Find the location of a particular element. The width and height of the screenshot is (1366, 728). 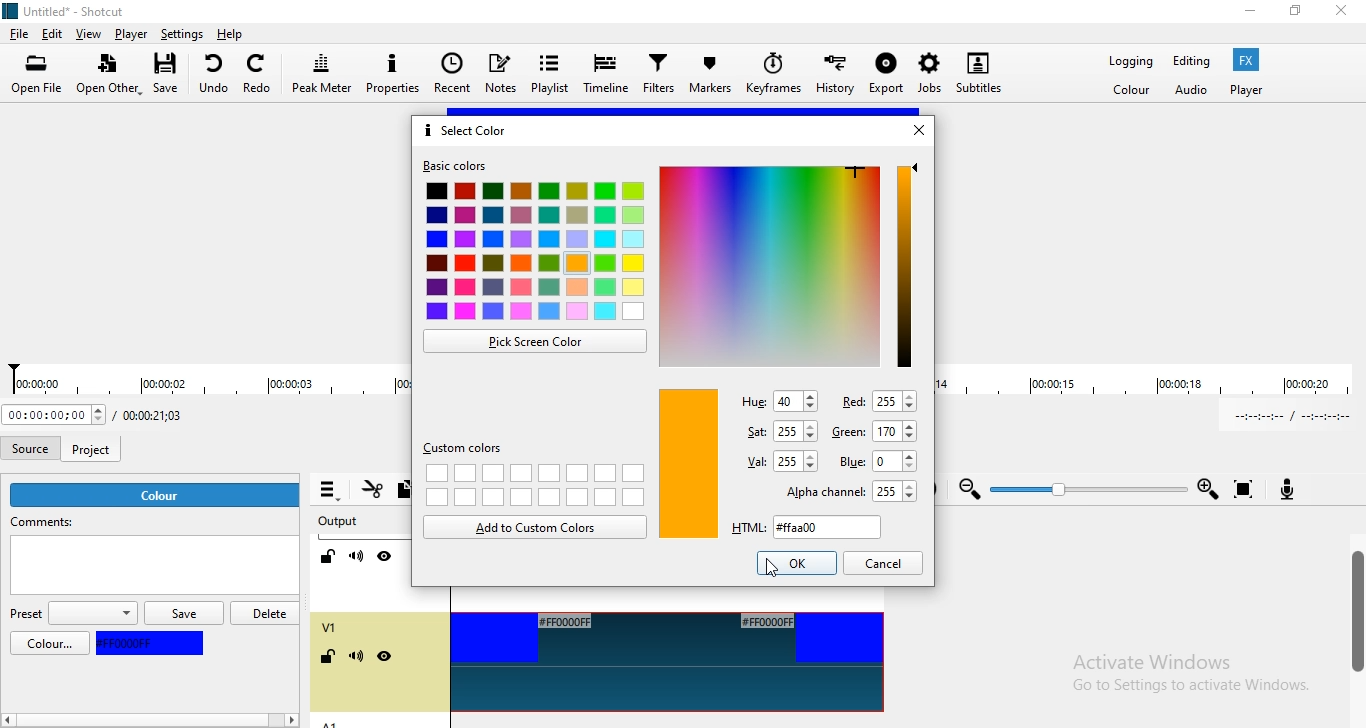

color is located at coordinates (157, 495).